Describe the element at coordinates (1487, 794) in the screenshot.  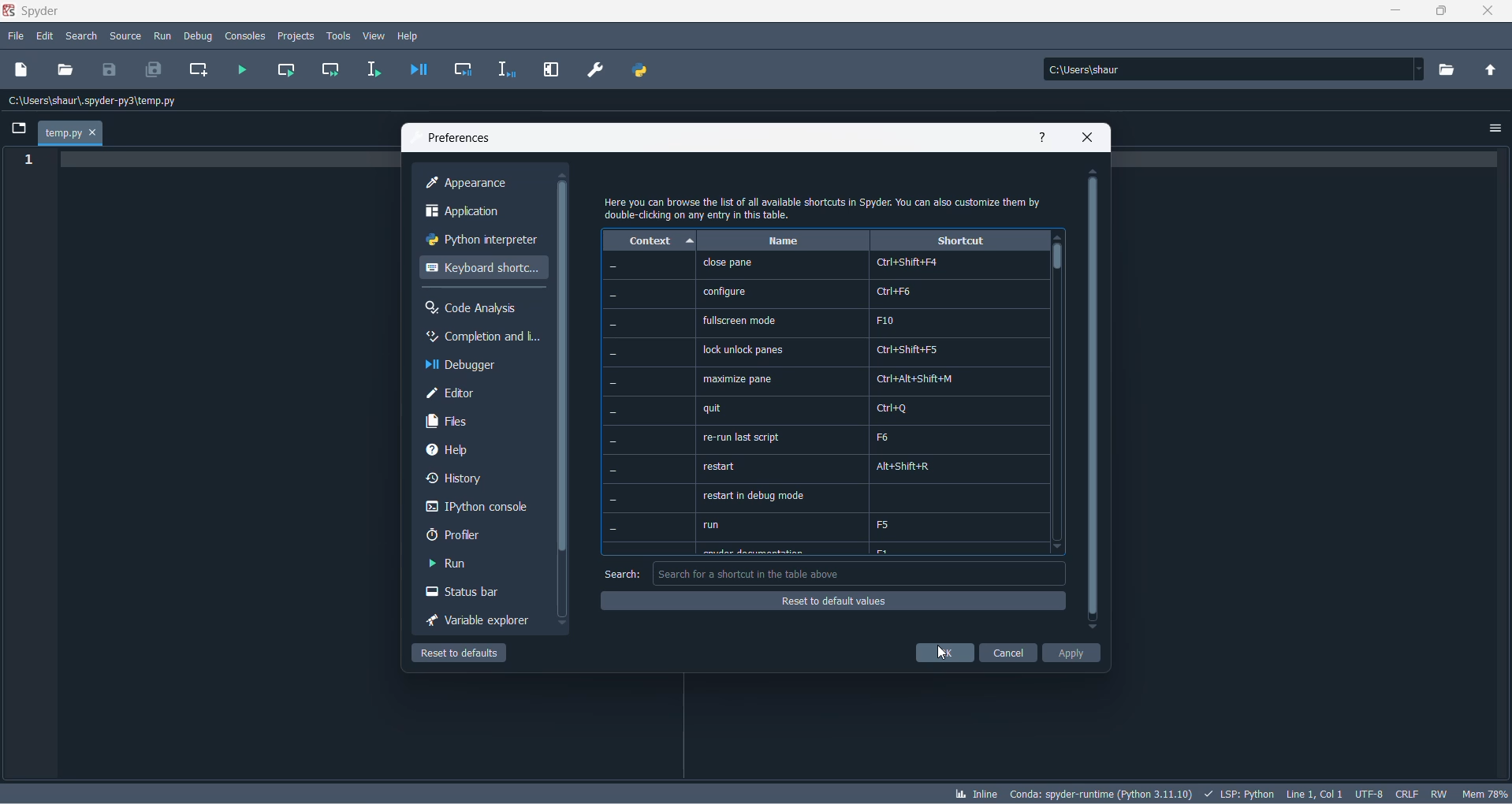
I see `memory usage` at that location.